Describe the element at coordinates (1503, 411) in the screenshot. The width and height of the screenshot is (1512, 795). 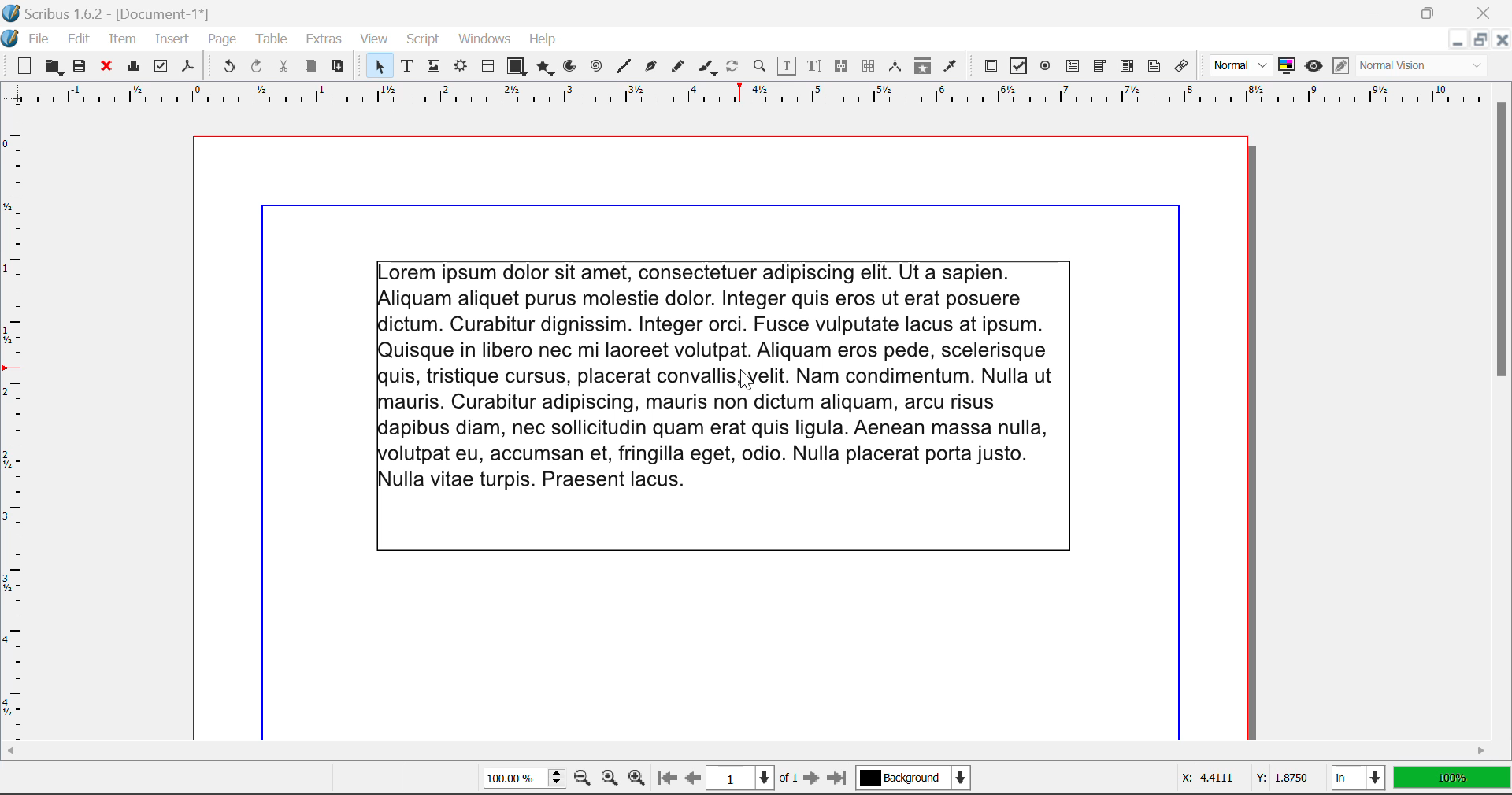
I see `Scroll Bar` at that location.